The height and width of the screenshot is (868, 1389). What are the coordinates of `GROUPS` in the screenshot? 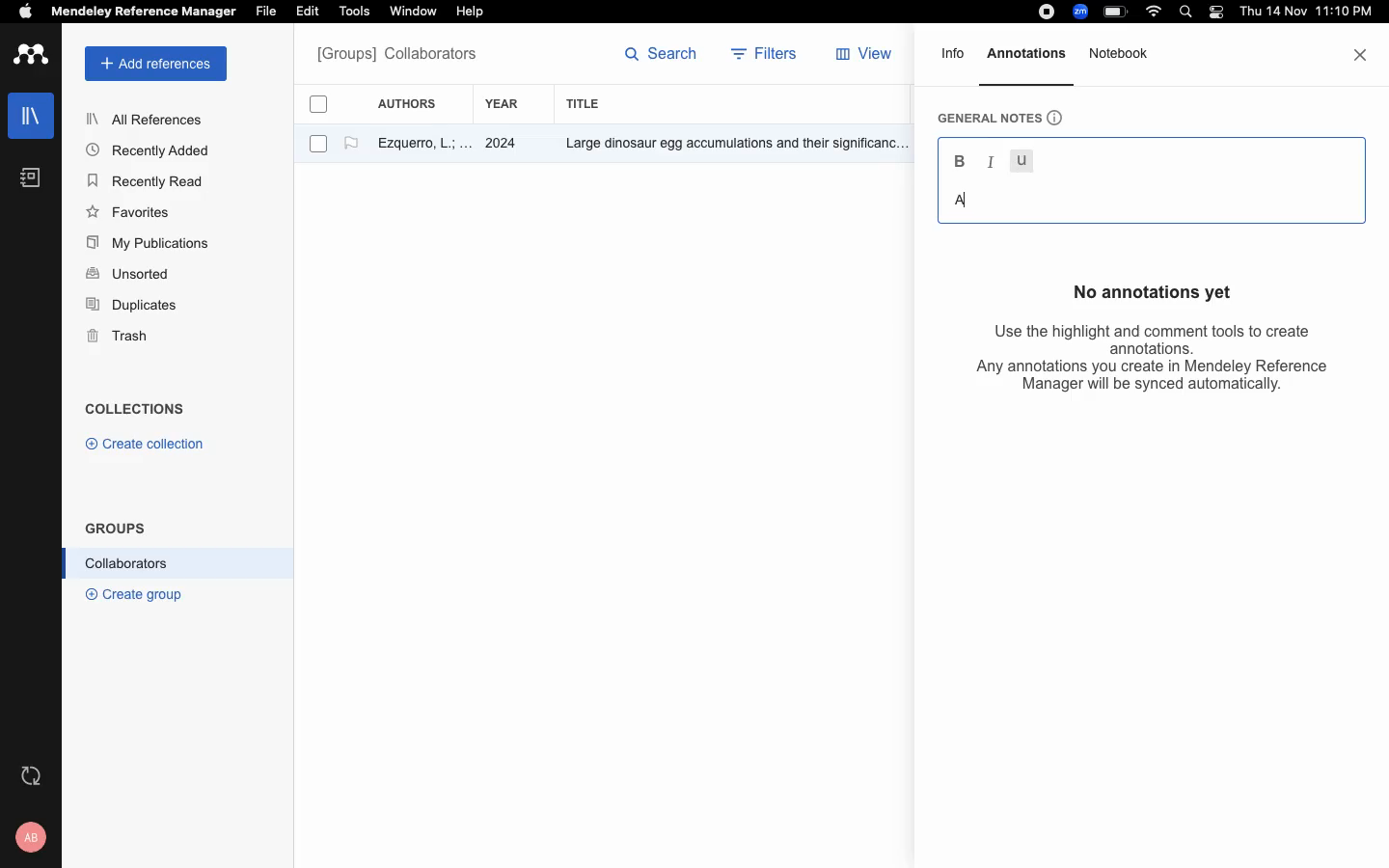 It's located at (116, 527).